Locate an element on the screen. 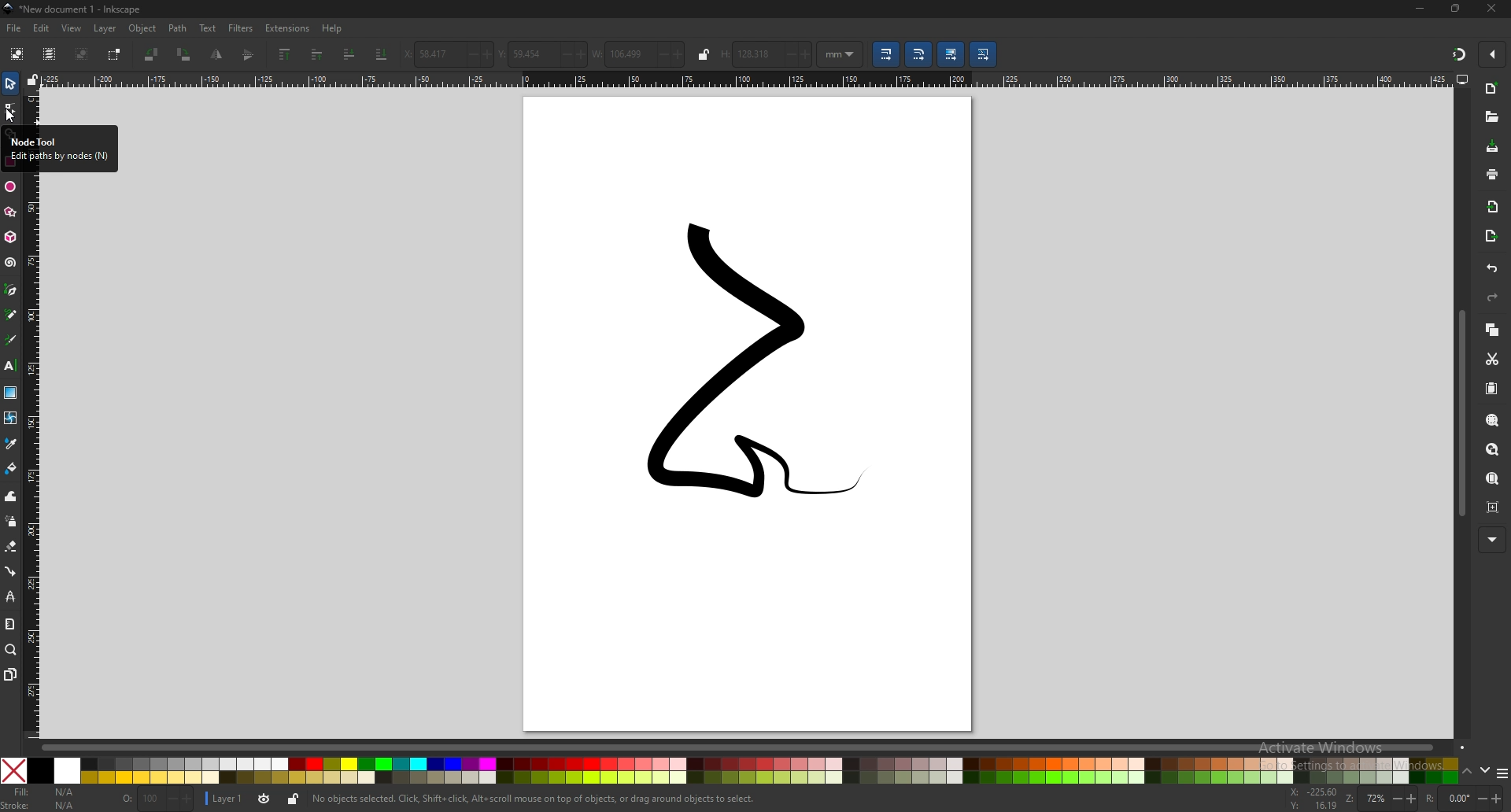 The height and width of the screenshot is (812, 1511). flip vertically is located at coordinates (216, 55).